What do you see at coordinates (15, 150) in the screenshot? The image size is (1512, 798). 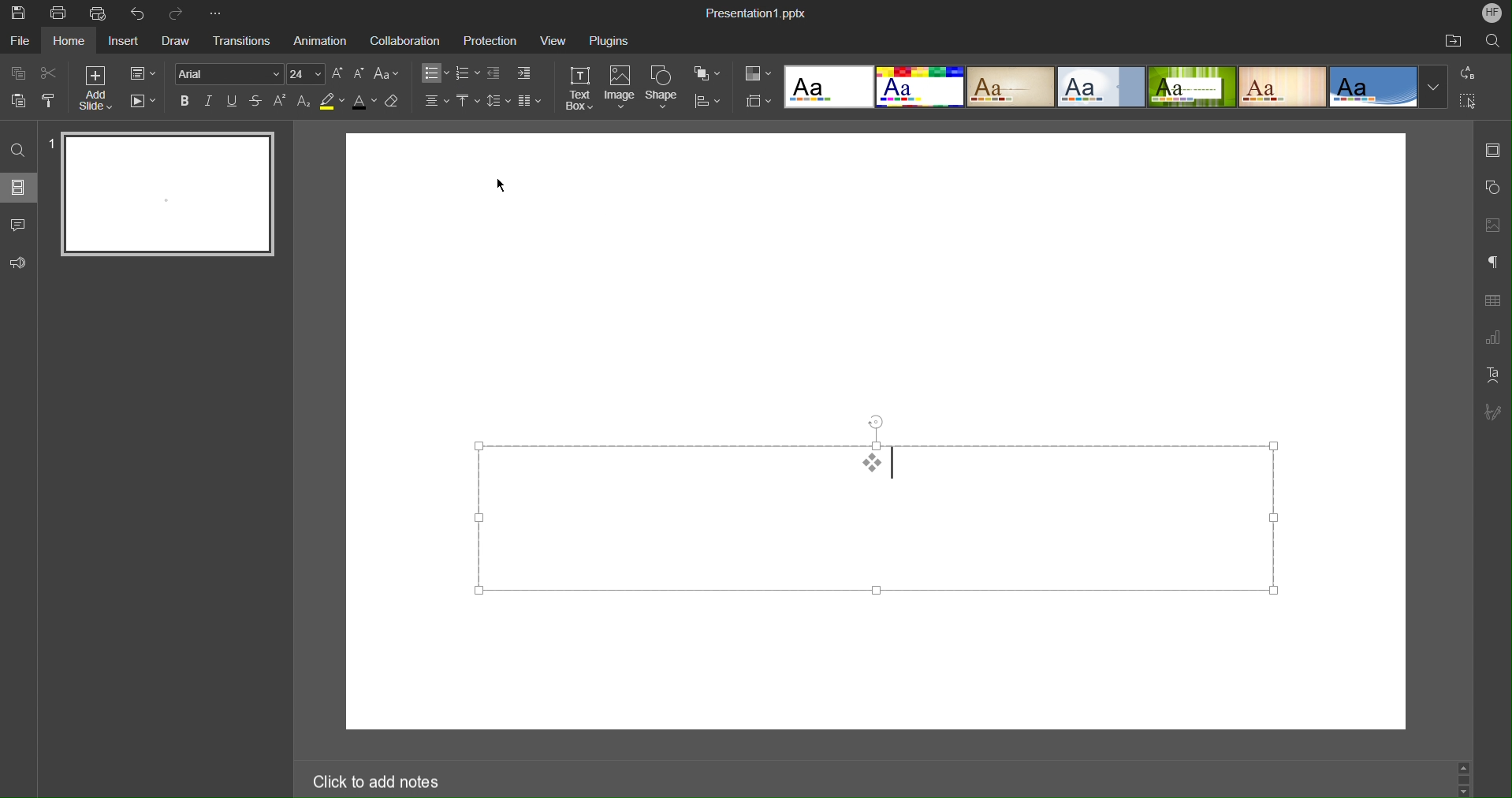 I see `Find` at bounding box center [15, 150].